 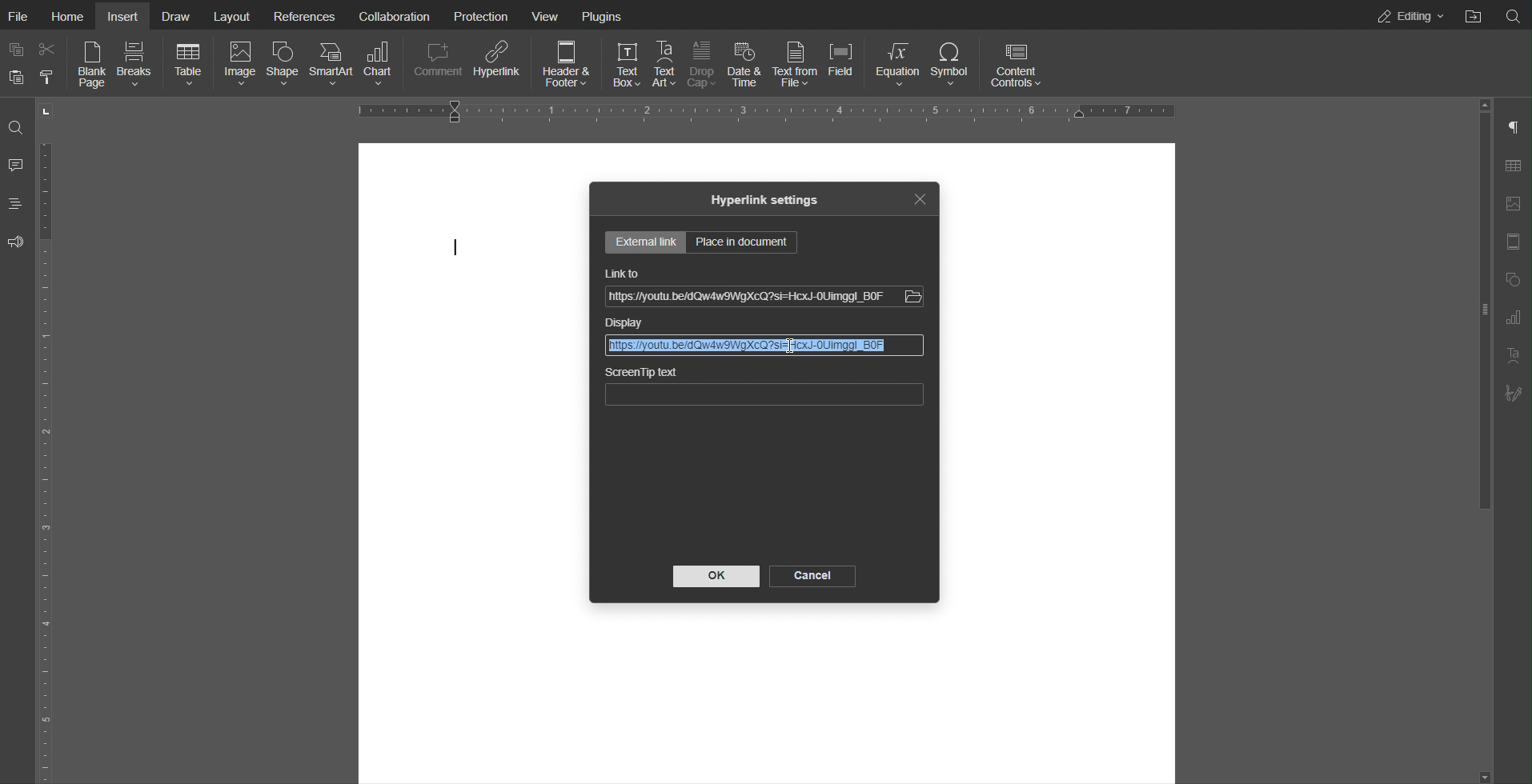 I want to click on References, so click(x=304, y=15).